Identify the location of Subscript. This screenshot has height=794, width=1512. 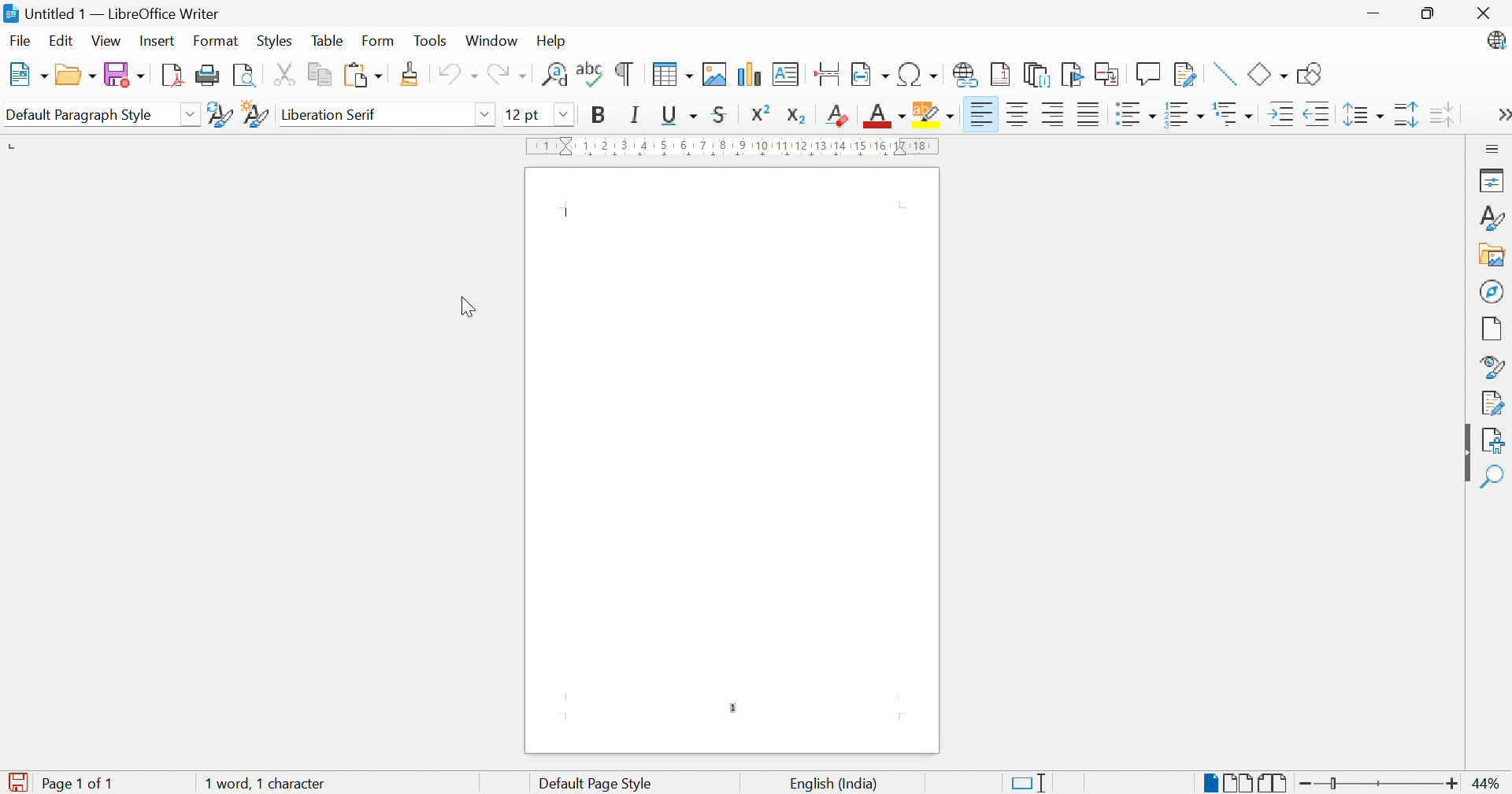
(836, 117).